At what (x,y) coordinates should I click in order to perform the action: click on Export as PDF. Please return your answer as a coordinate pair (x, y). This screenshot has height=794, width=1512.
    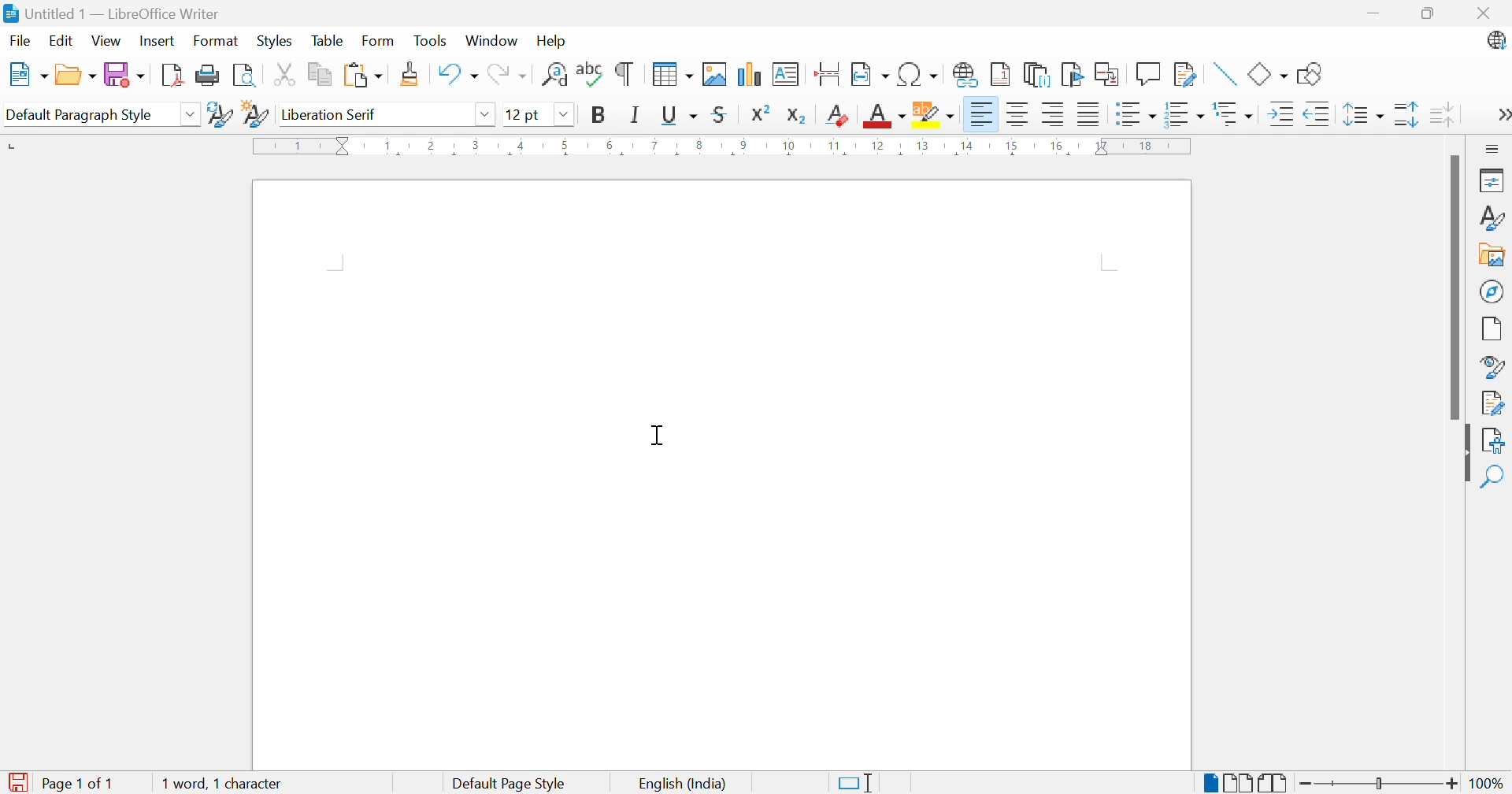
    Looking at the image, I should click on (172, 74).